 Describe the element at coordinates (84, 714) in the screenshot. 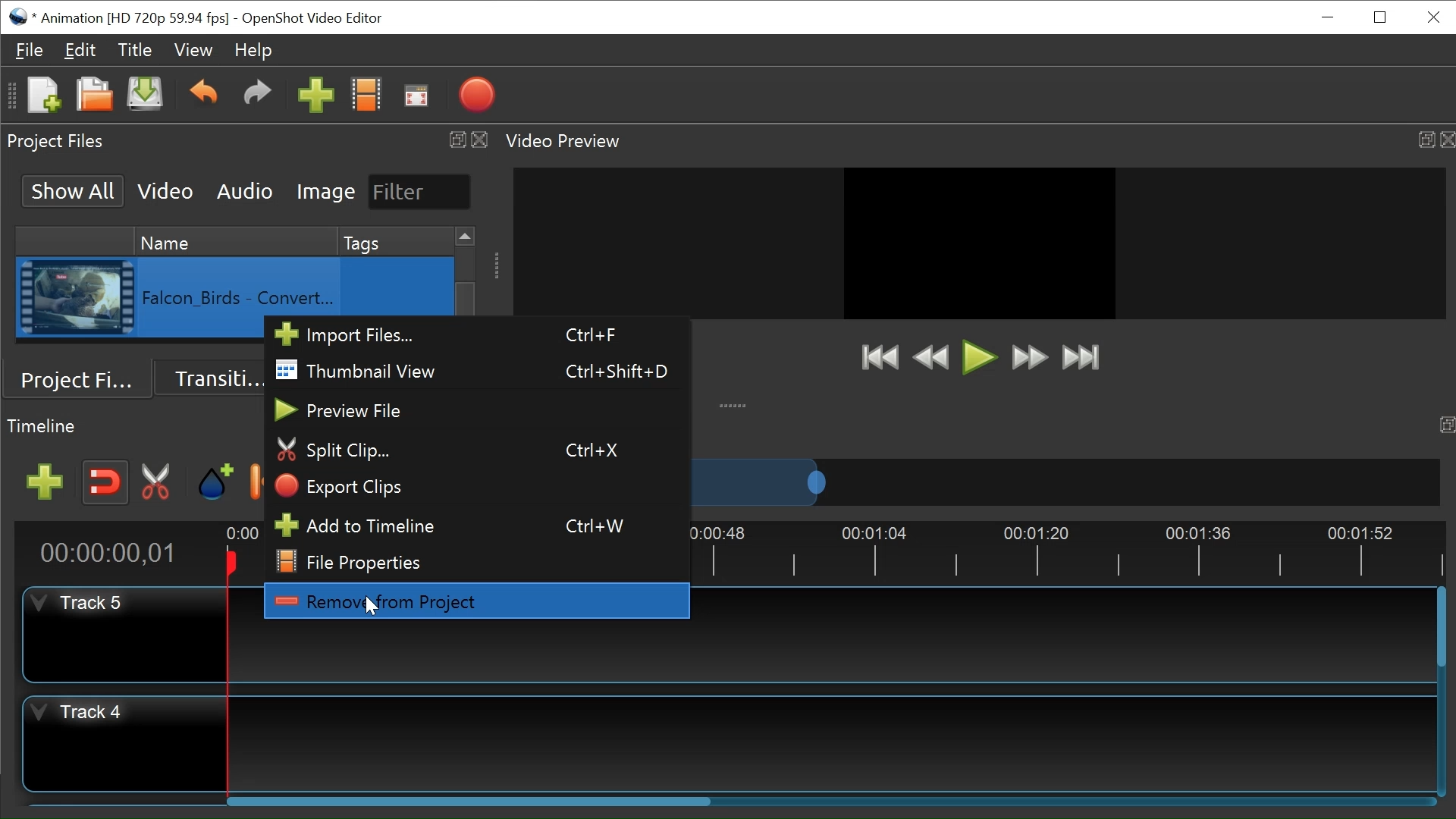

I see `Track Header` at that location.